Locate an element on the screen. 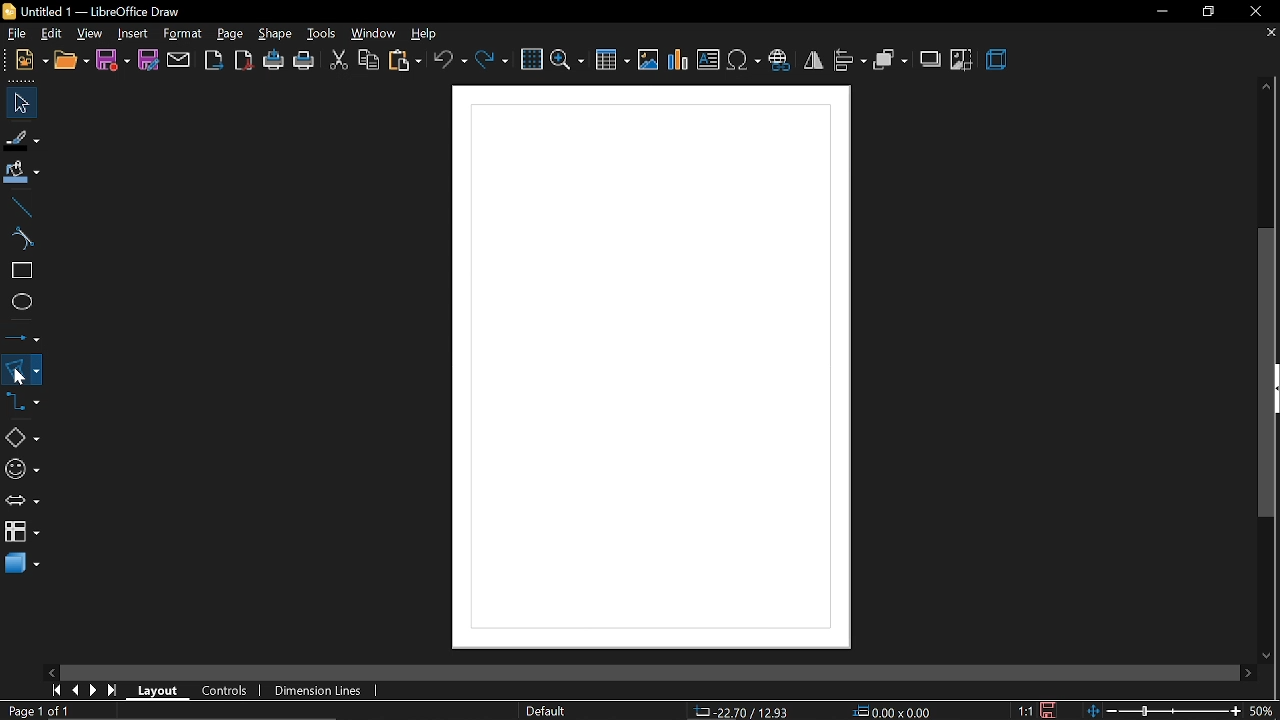 This screenshot has height=720, width=1280. position 00X00 is located at coordinates (892, 708).